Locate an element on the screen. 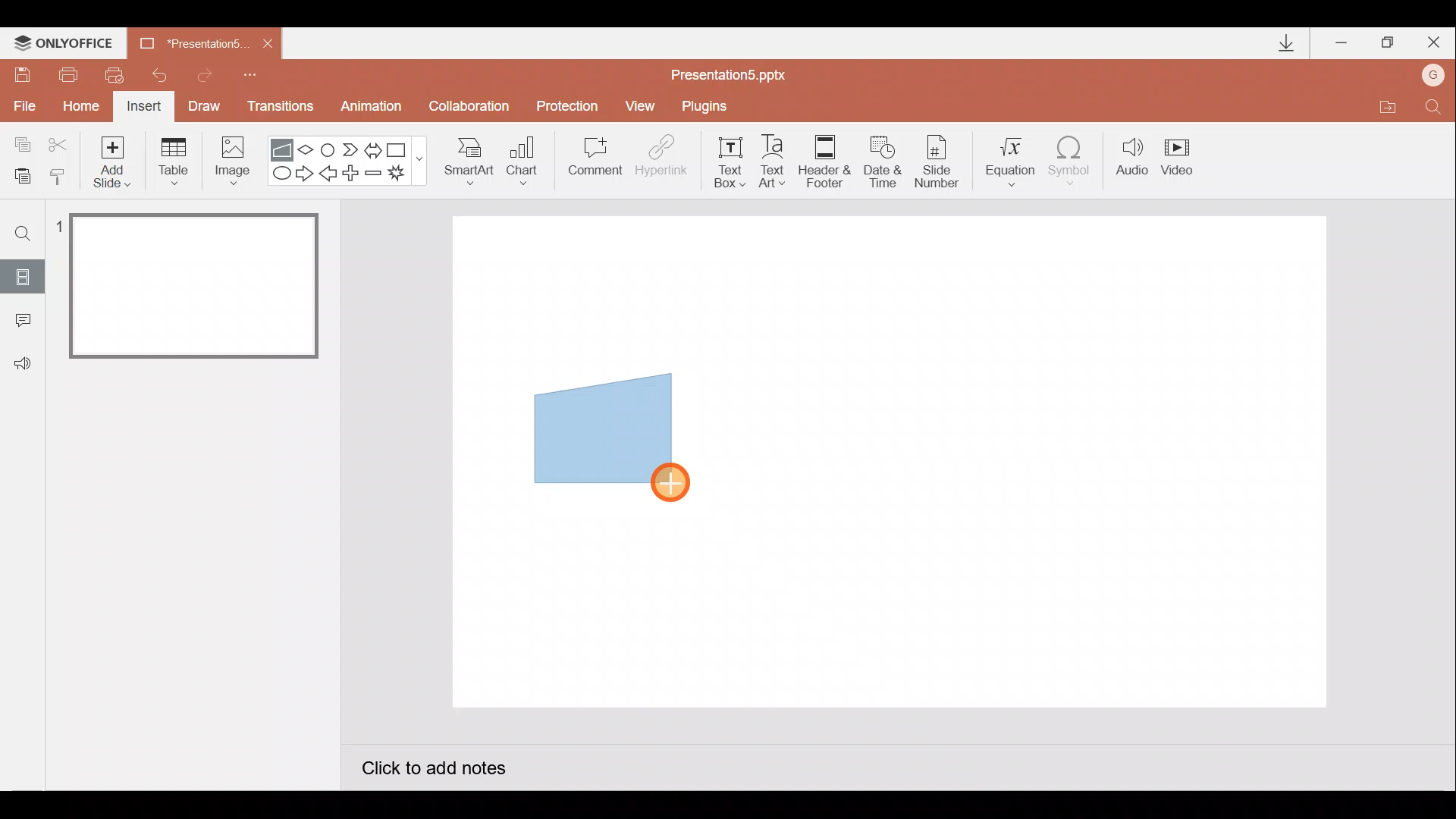 Image resolution: width=1456 pixels, height=819 pixels. Close is located at coordinates (268, 44).